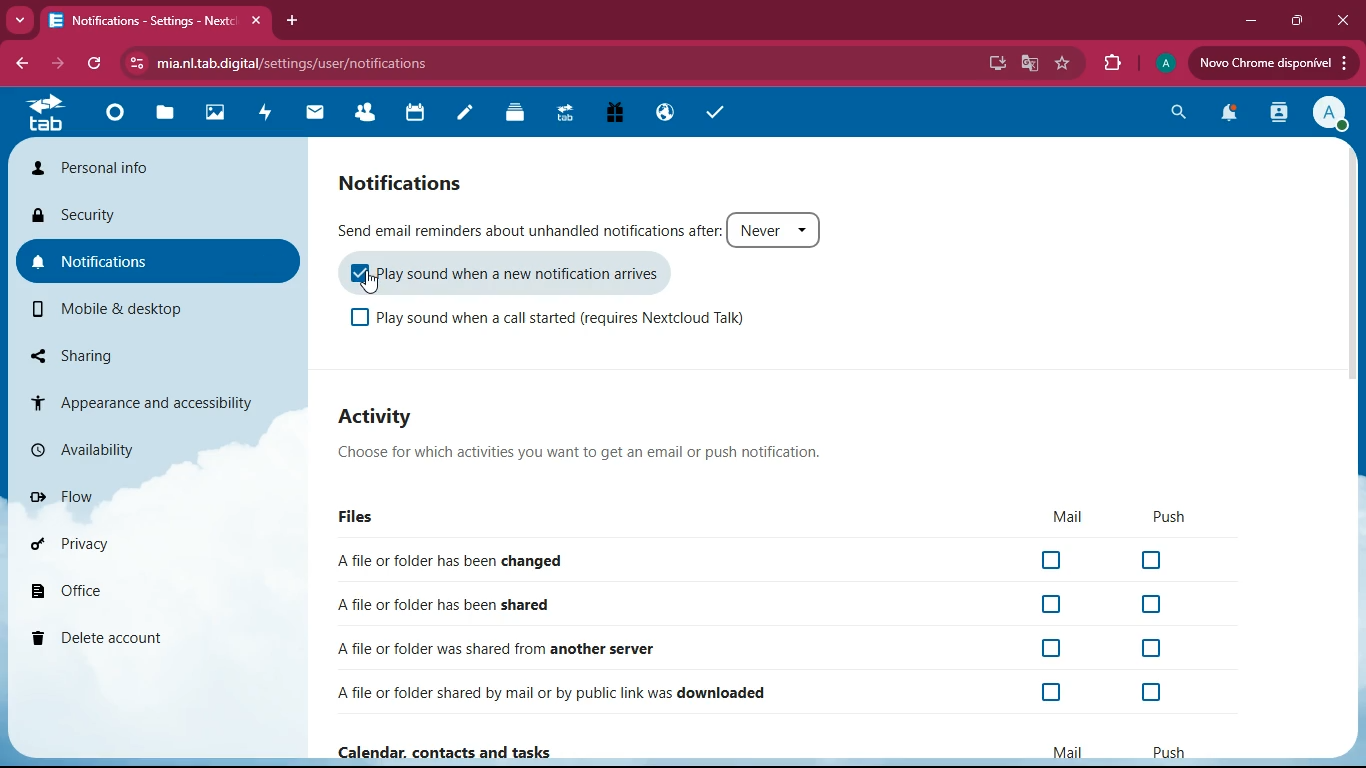 The width and height of the screenshot is (1366, 768). Describe the element at coordinates (1166, 750) in the screenshot. I see `push` at that location.